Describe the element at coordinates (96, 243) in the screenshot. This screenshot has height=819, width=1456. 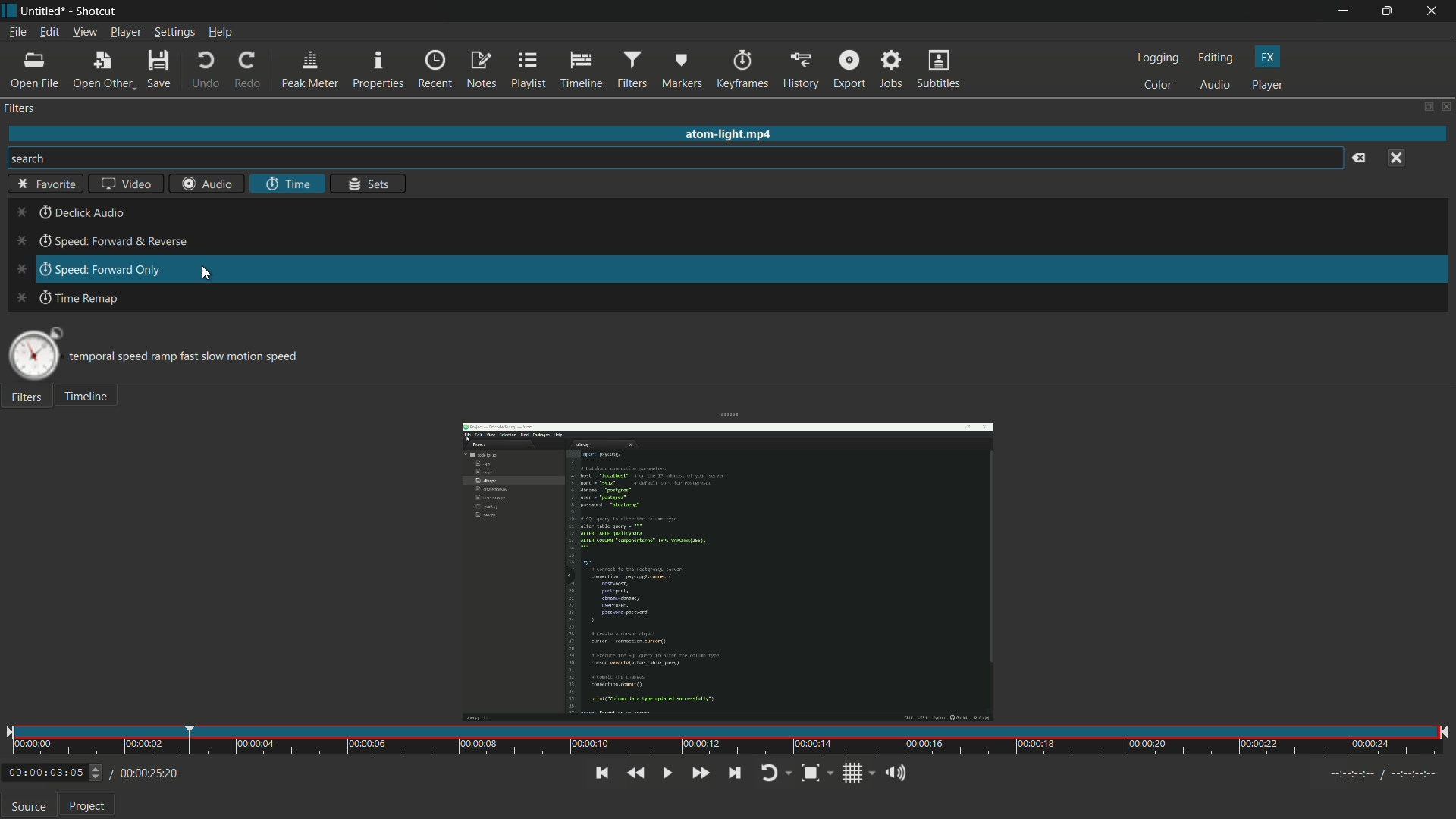
I see `speed forward and reverse` at that location.